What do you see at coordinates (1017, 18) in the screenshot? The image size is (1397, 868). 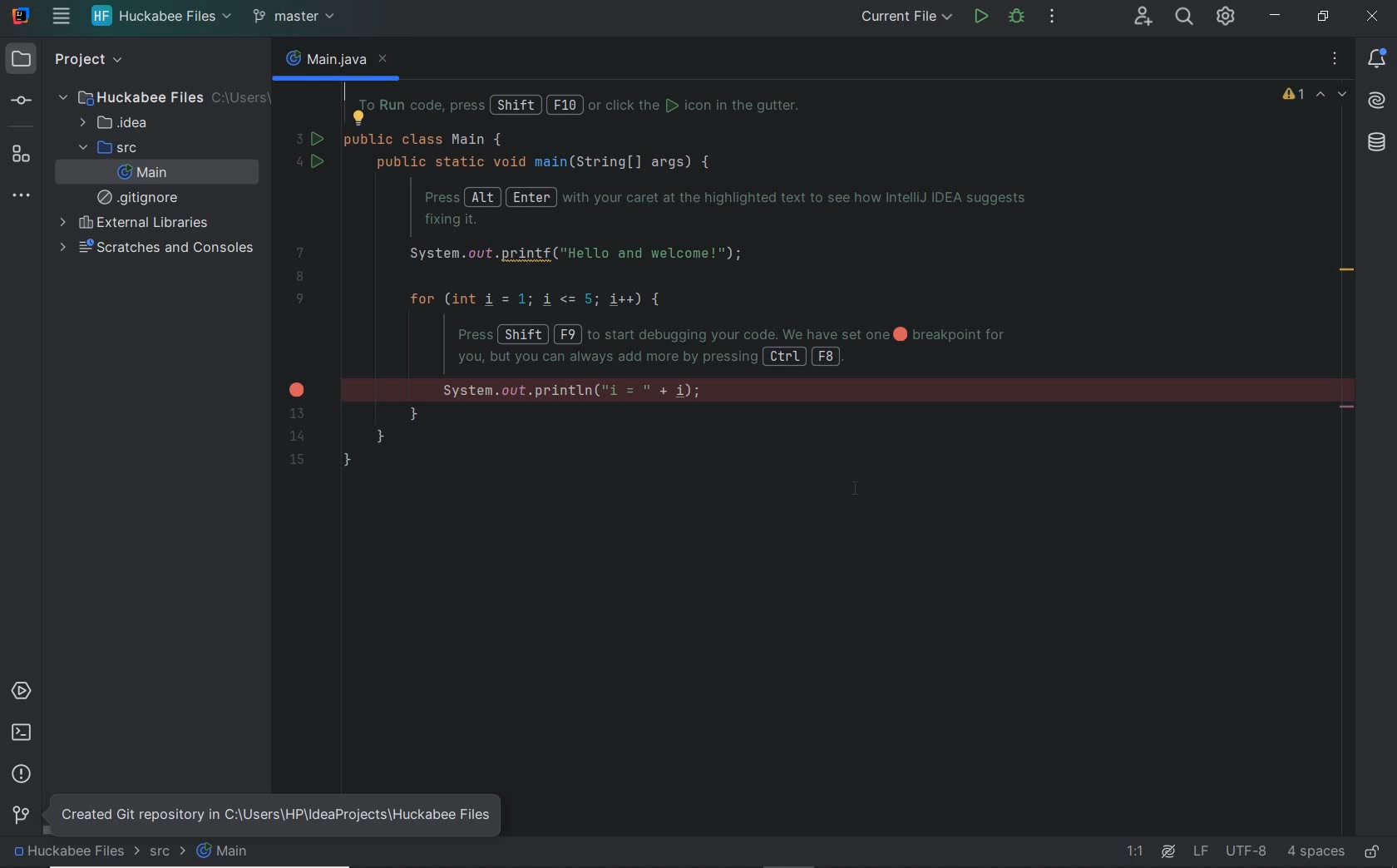 I see `debug` at bounding box center [1017, 18].